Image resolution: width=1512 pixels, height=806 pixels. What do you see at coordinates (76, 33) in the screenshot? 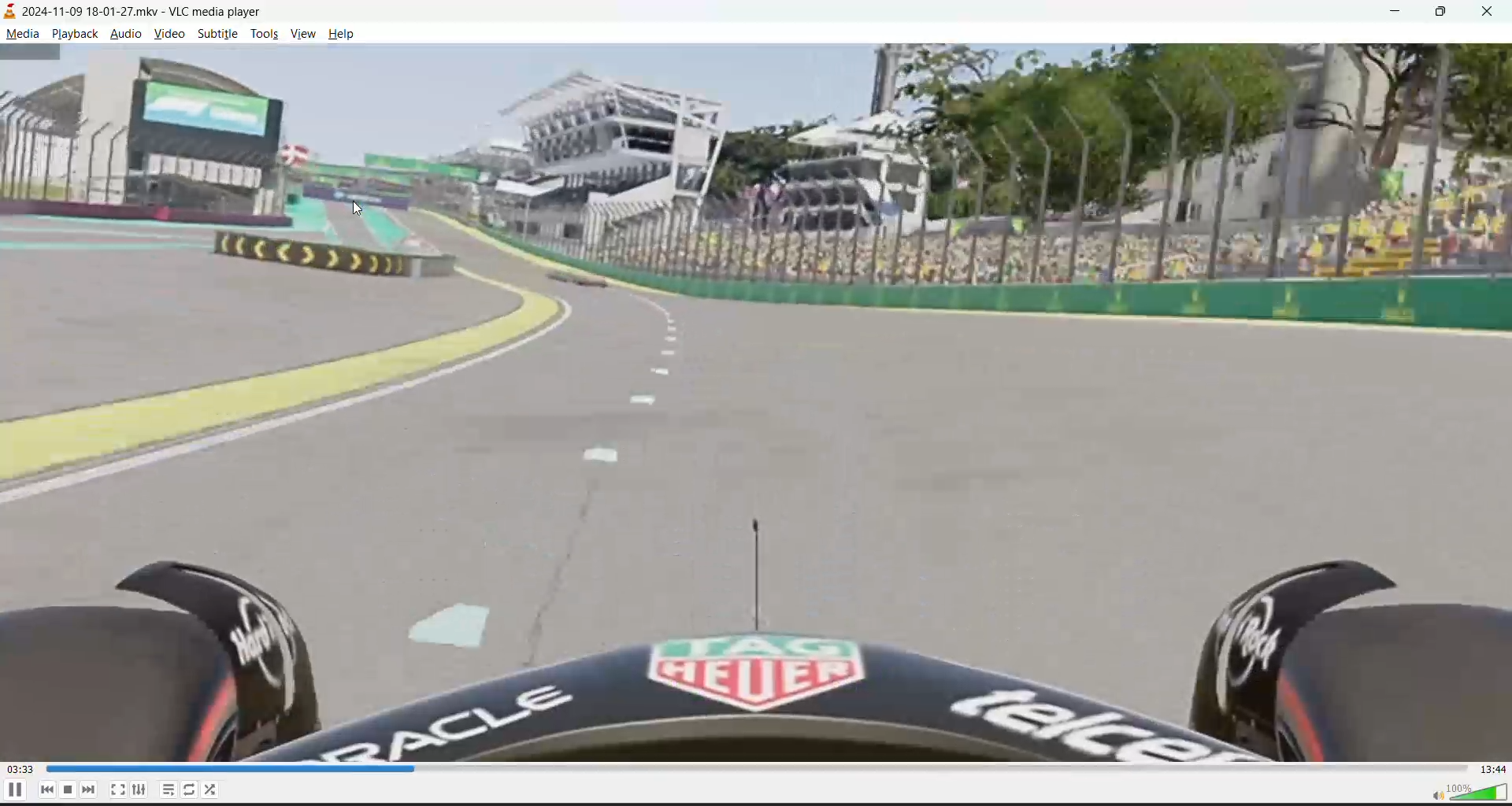
I see `playback` at bounding box center [76, 33].